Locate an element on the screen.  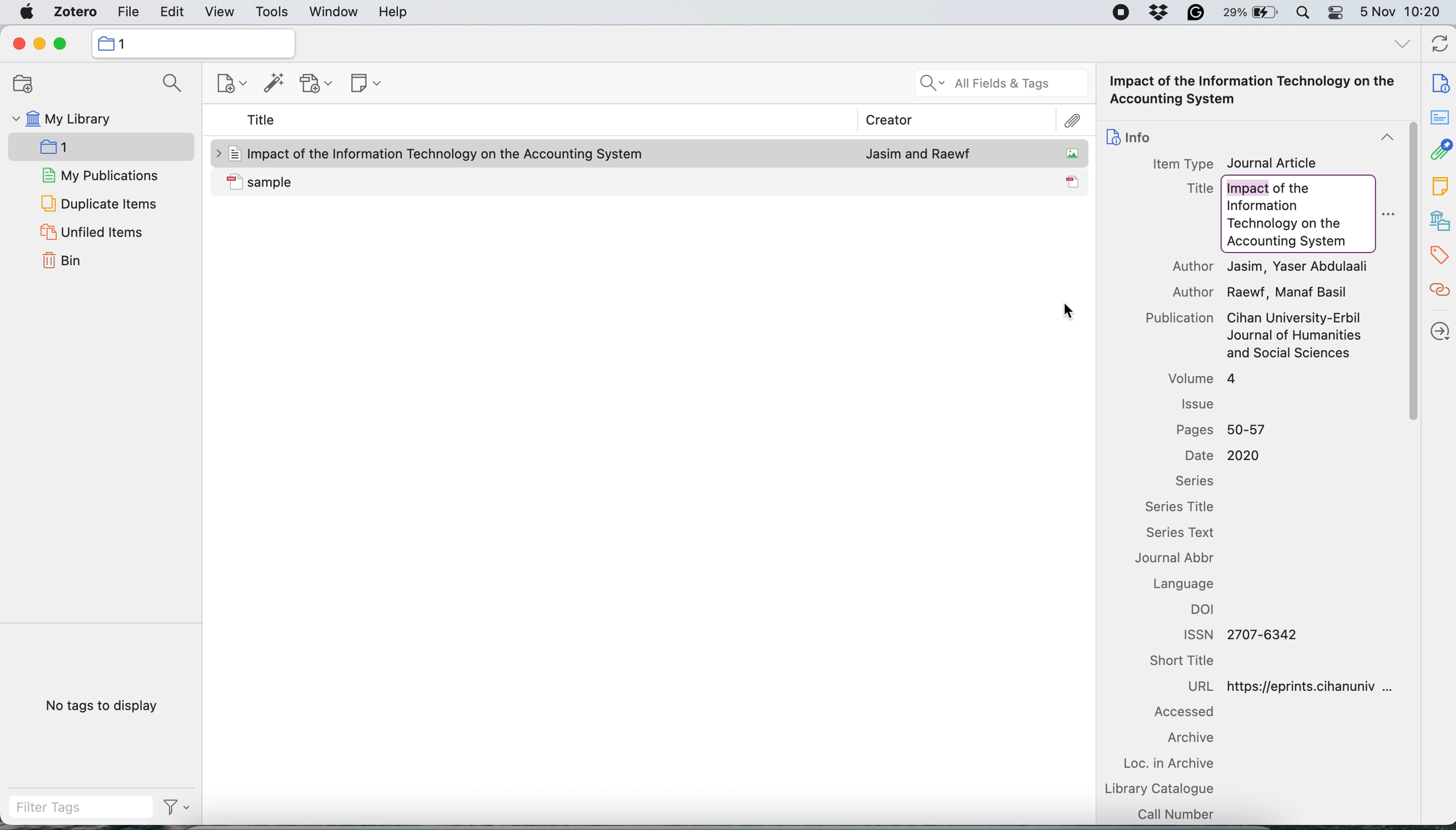
creator is located at coordinates (889, 119).